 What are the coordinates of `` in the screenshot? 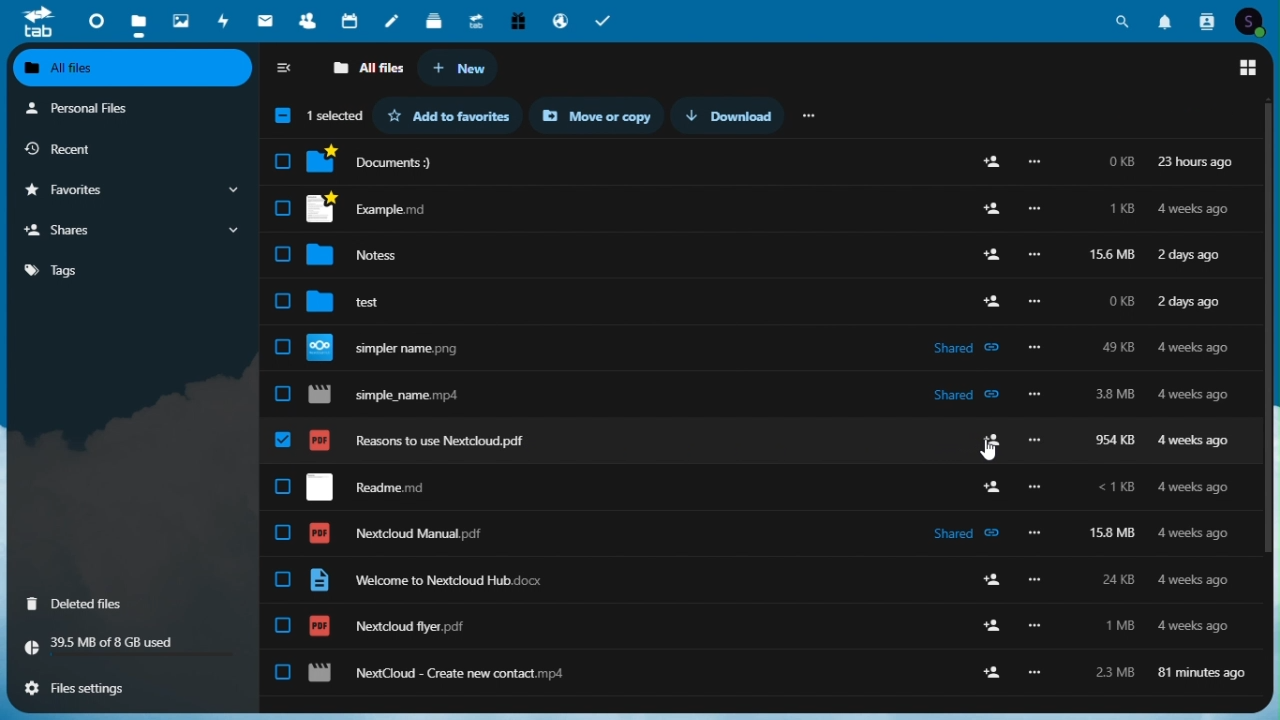 It's located at (1036, 488).